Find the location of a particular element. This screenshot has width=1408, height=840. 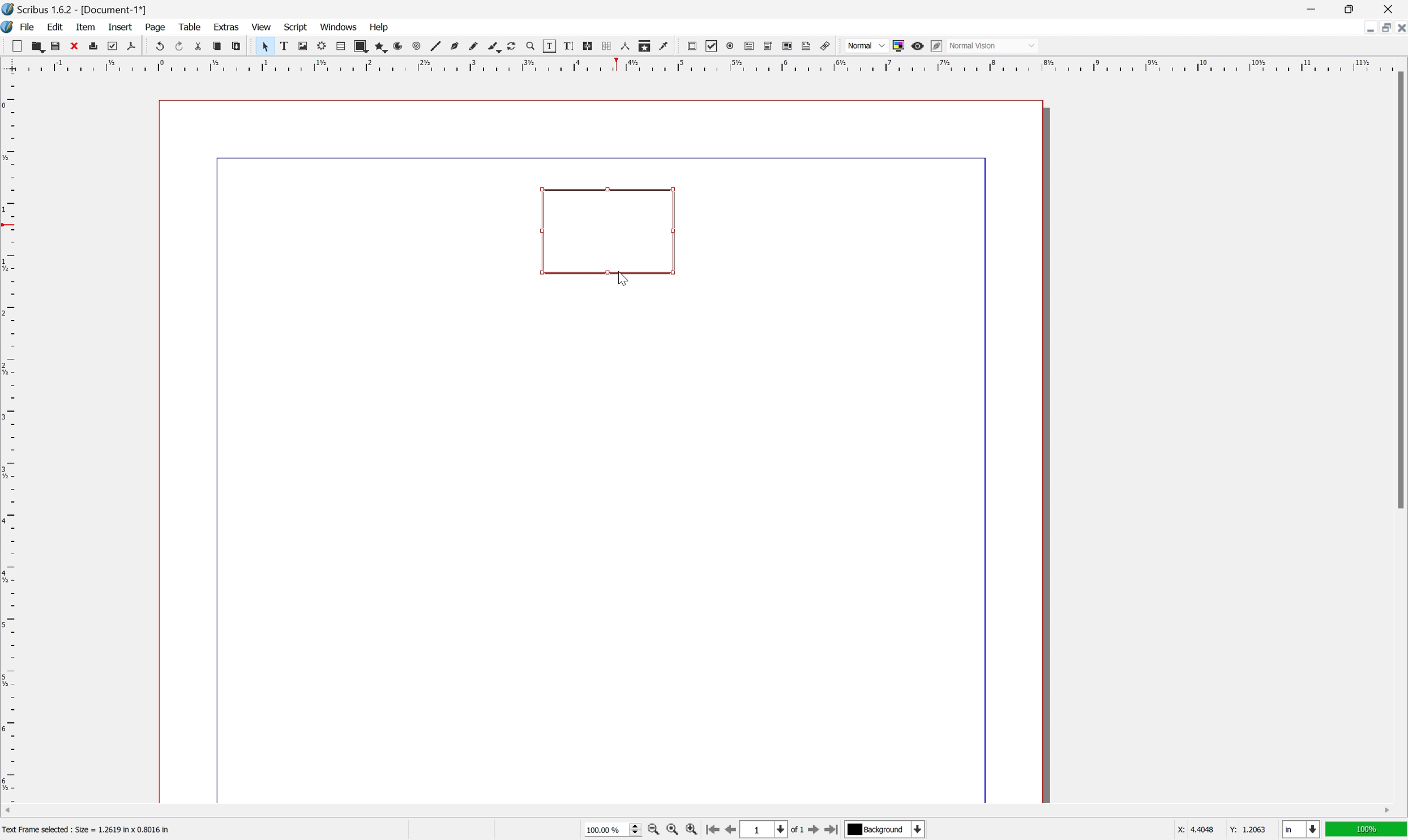

shape is located at coordinates (360, 46).